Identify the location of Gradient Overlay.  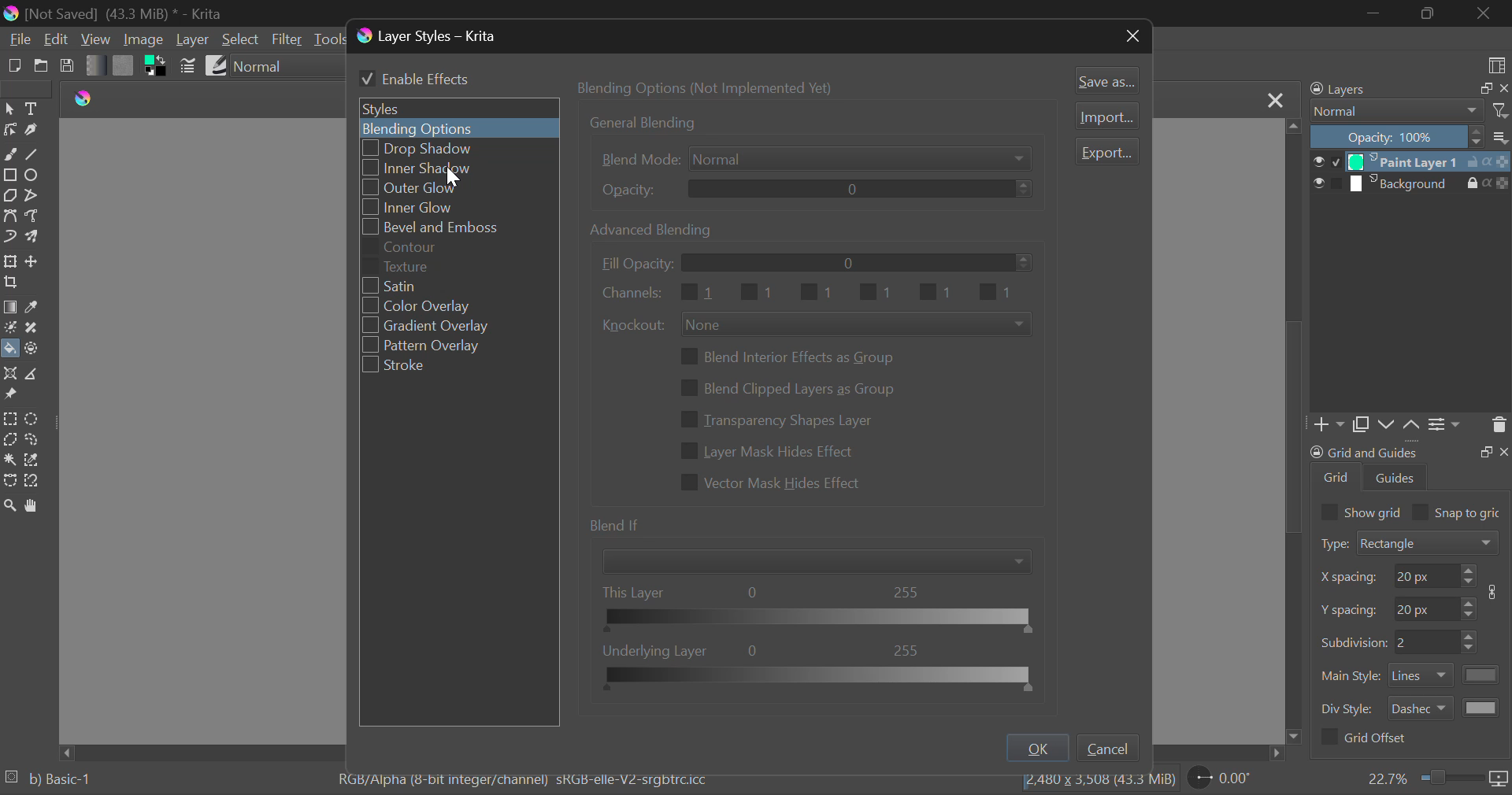
(435, 326).